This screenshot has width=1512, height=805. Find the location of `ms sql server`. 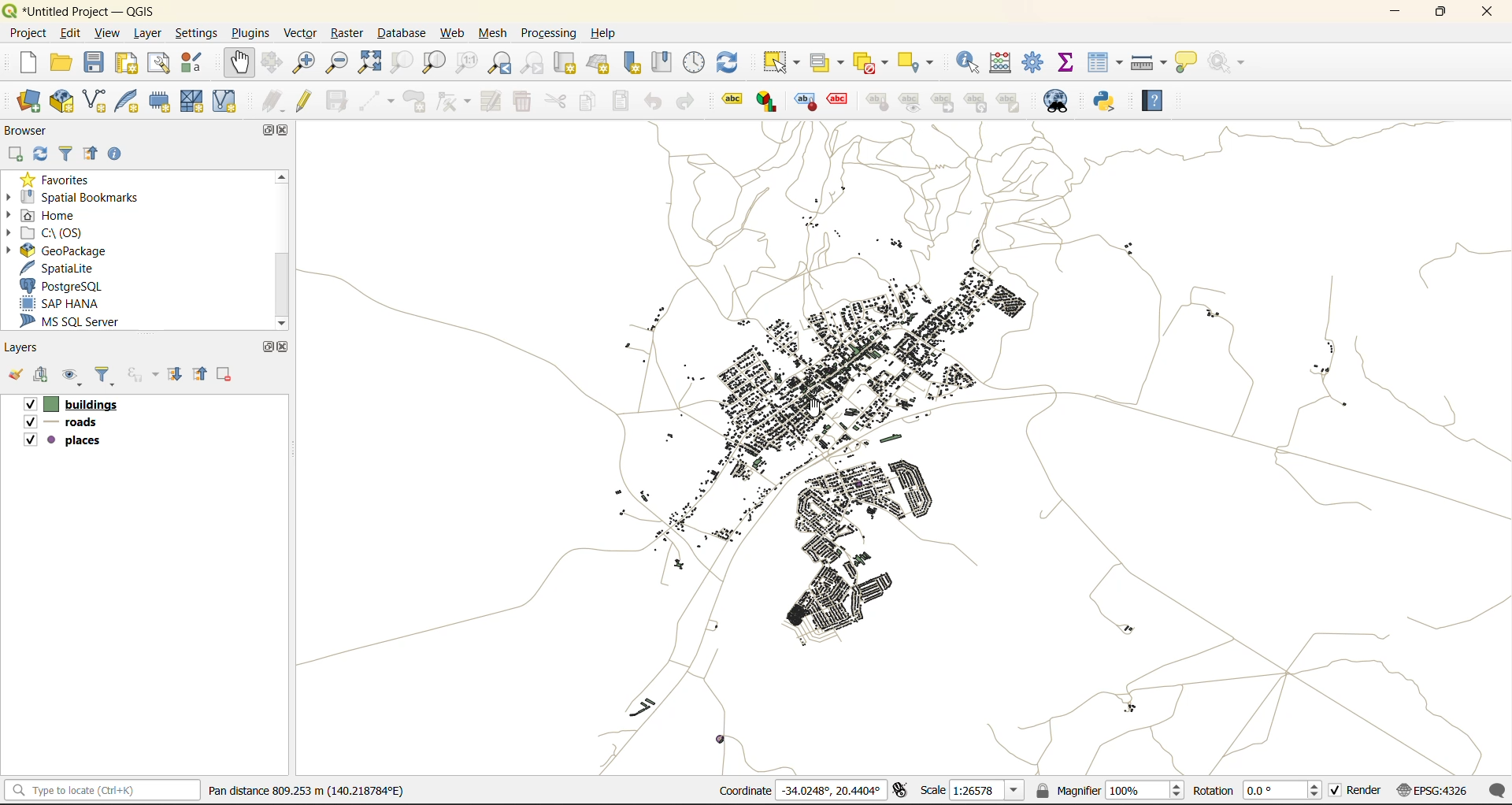

ms sql server is located at coordinates (78, 321).